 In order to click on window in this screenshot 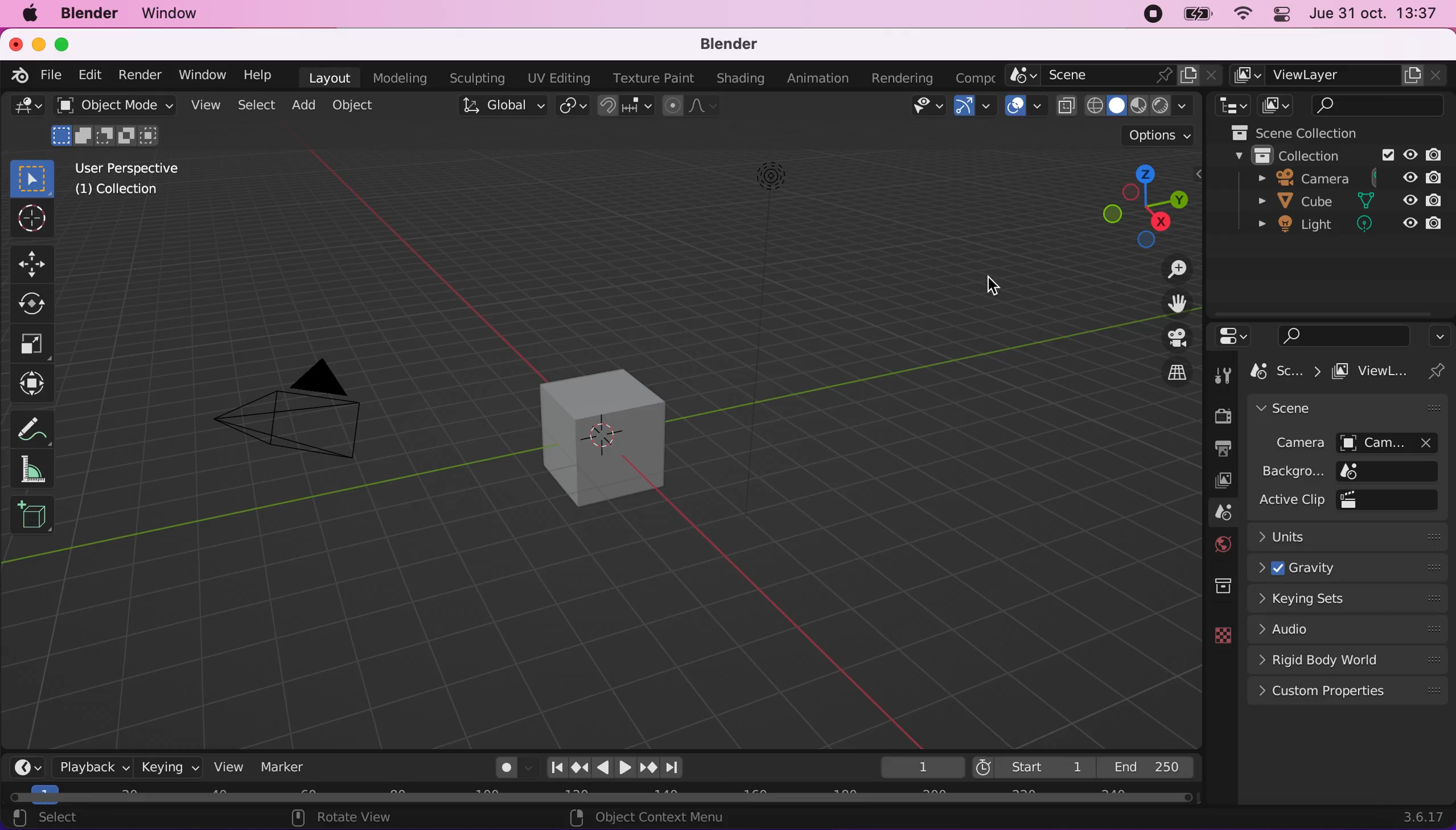, I will do `click(174, 13)`.